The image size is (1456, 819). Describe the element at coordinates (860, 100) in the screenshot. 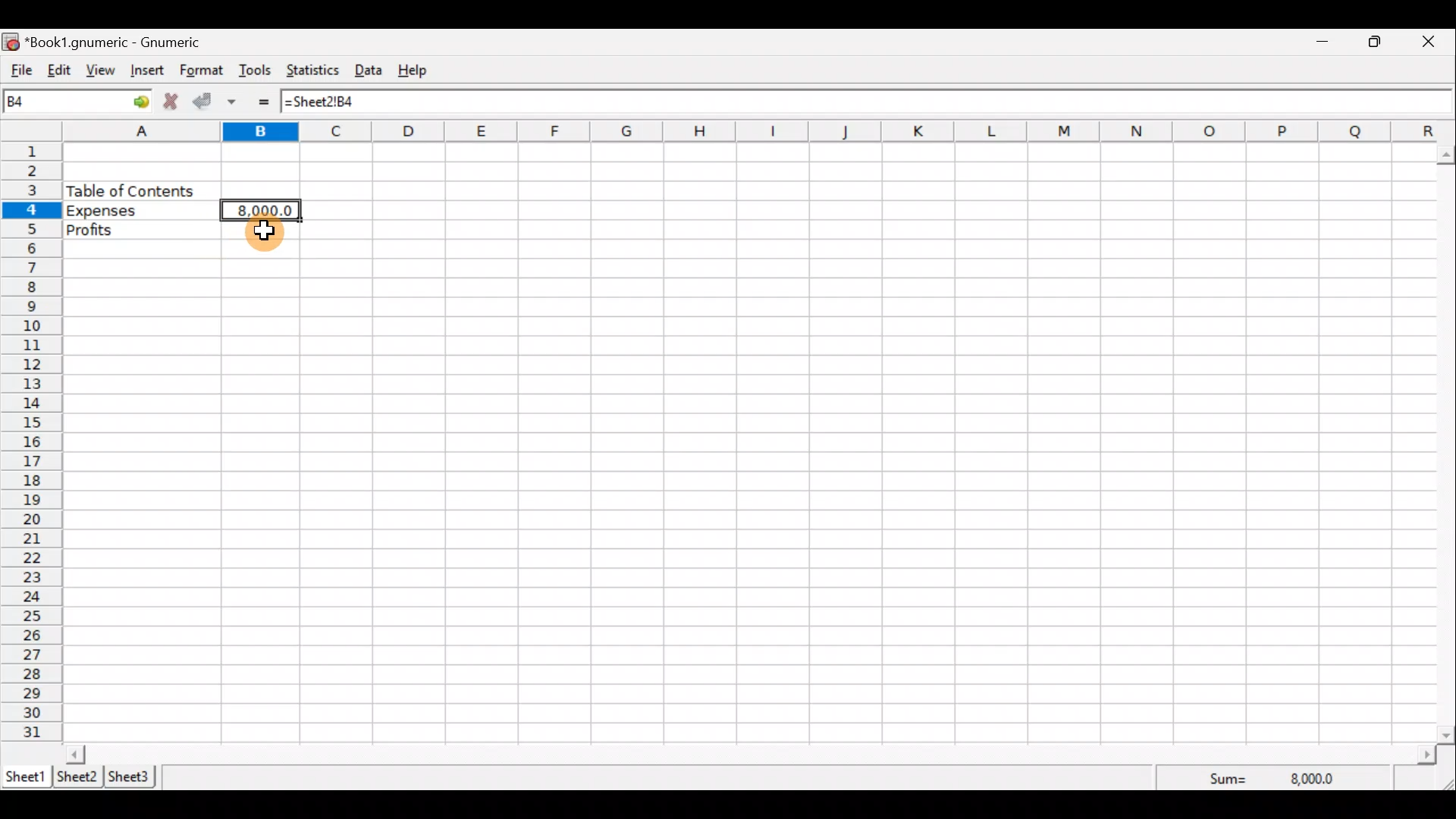

I see `Formula bar` at that location.